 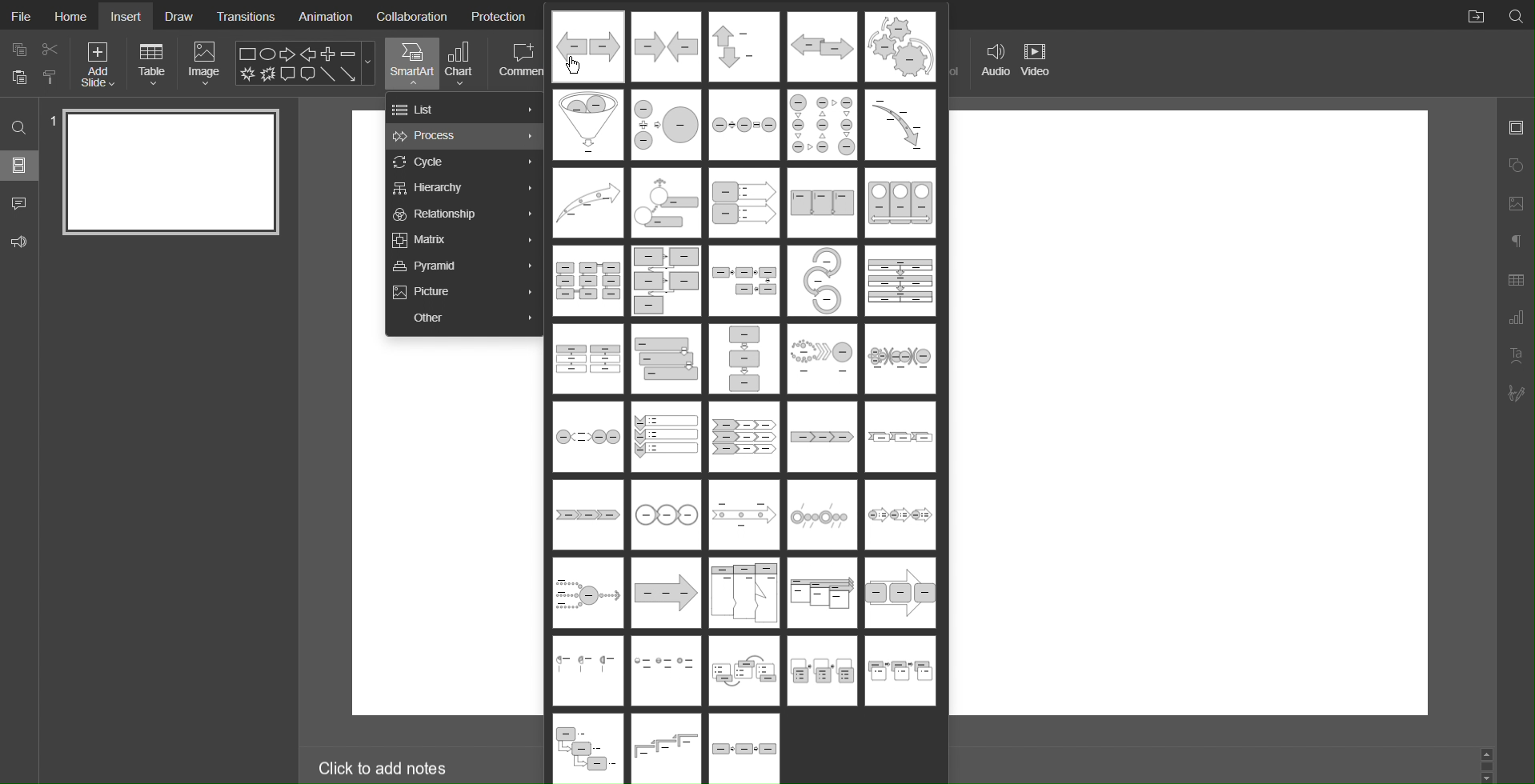 I want to click on up, so click(x=1490, y=755).